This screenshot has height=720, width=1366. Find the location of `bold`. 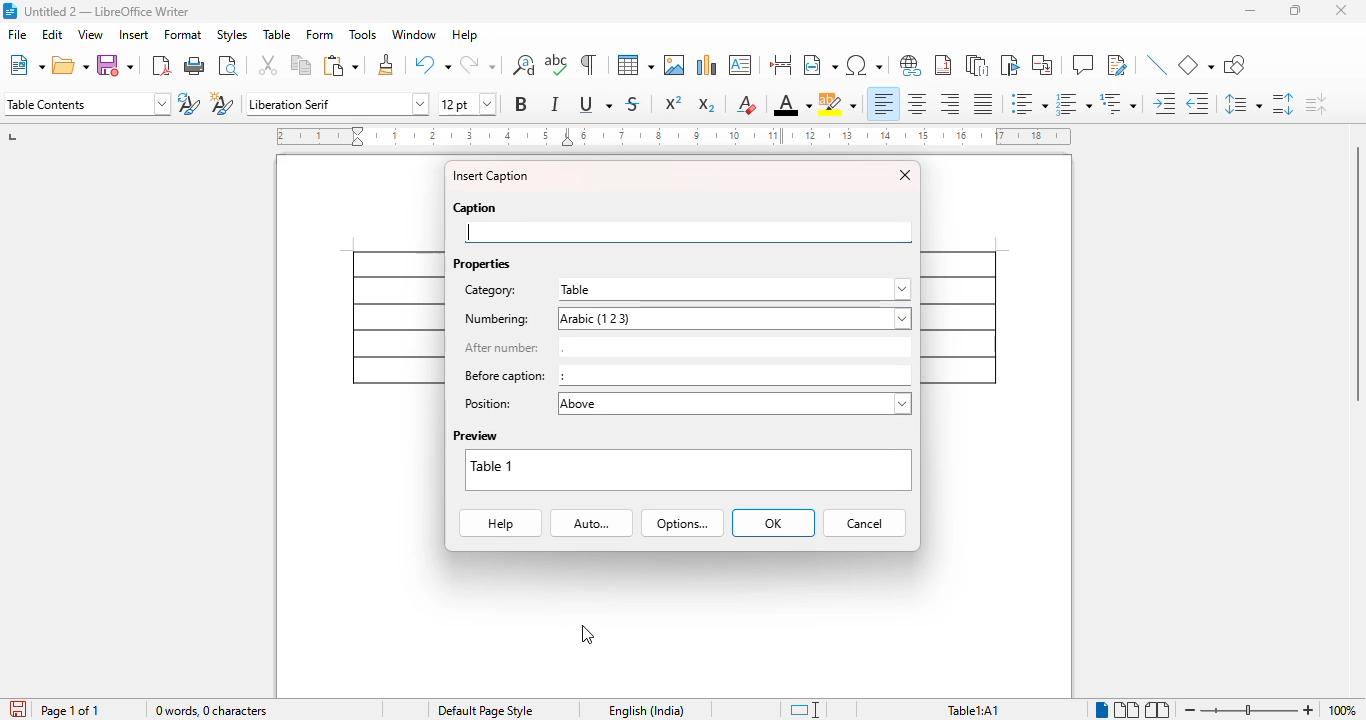

bold is located at coordinates (522, 104).